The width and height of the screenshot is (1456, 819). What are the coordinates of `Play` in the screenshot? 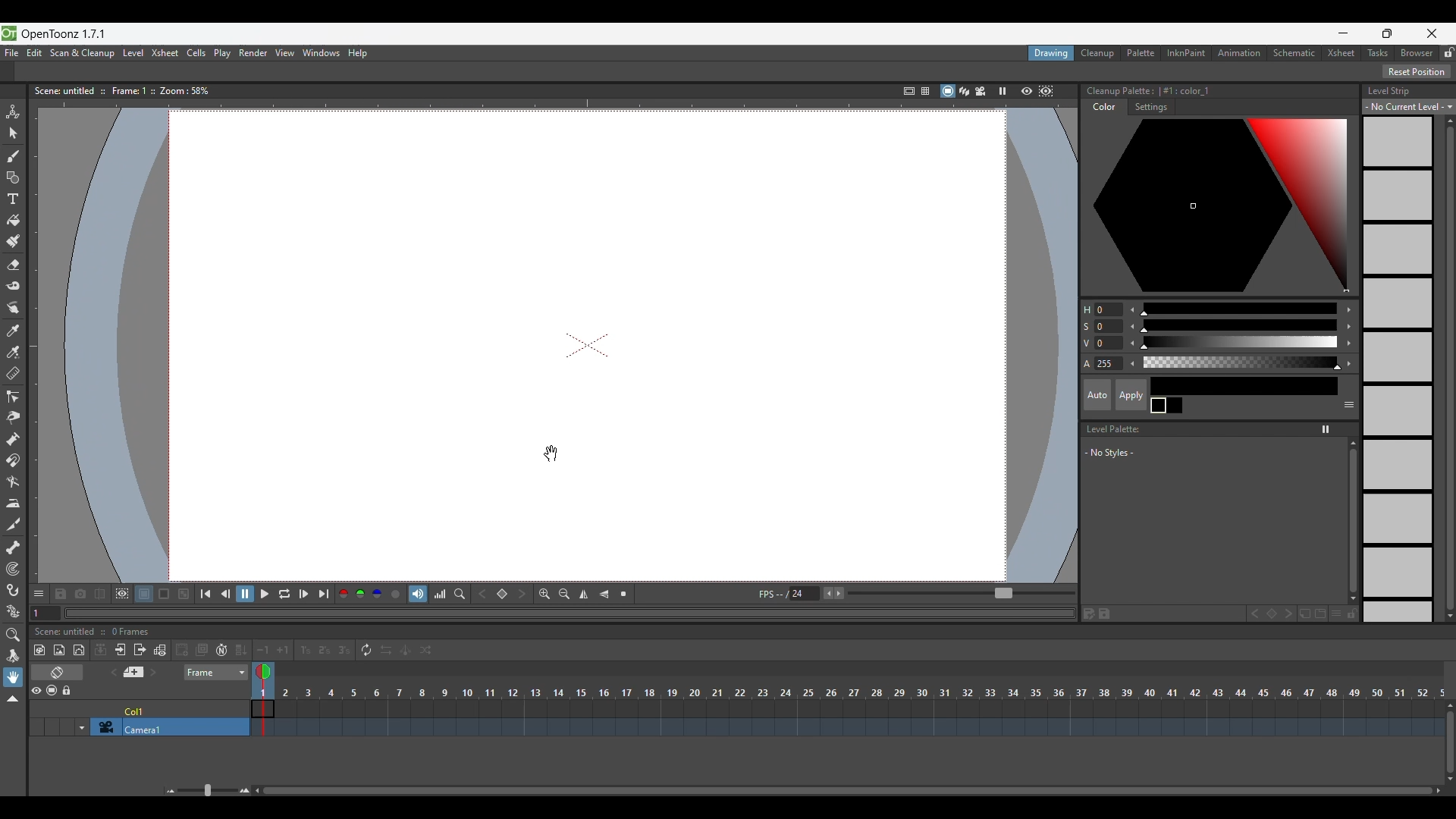 It's located at (264, 593).